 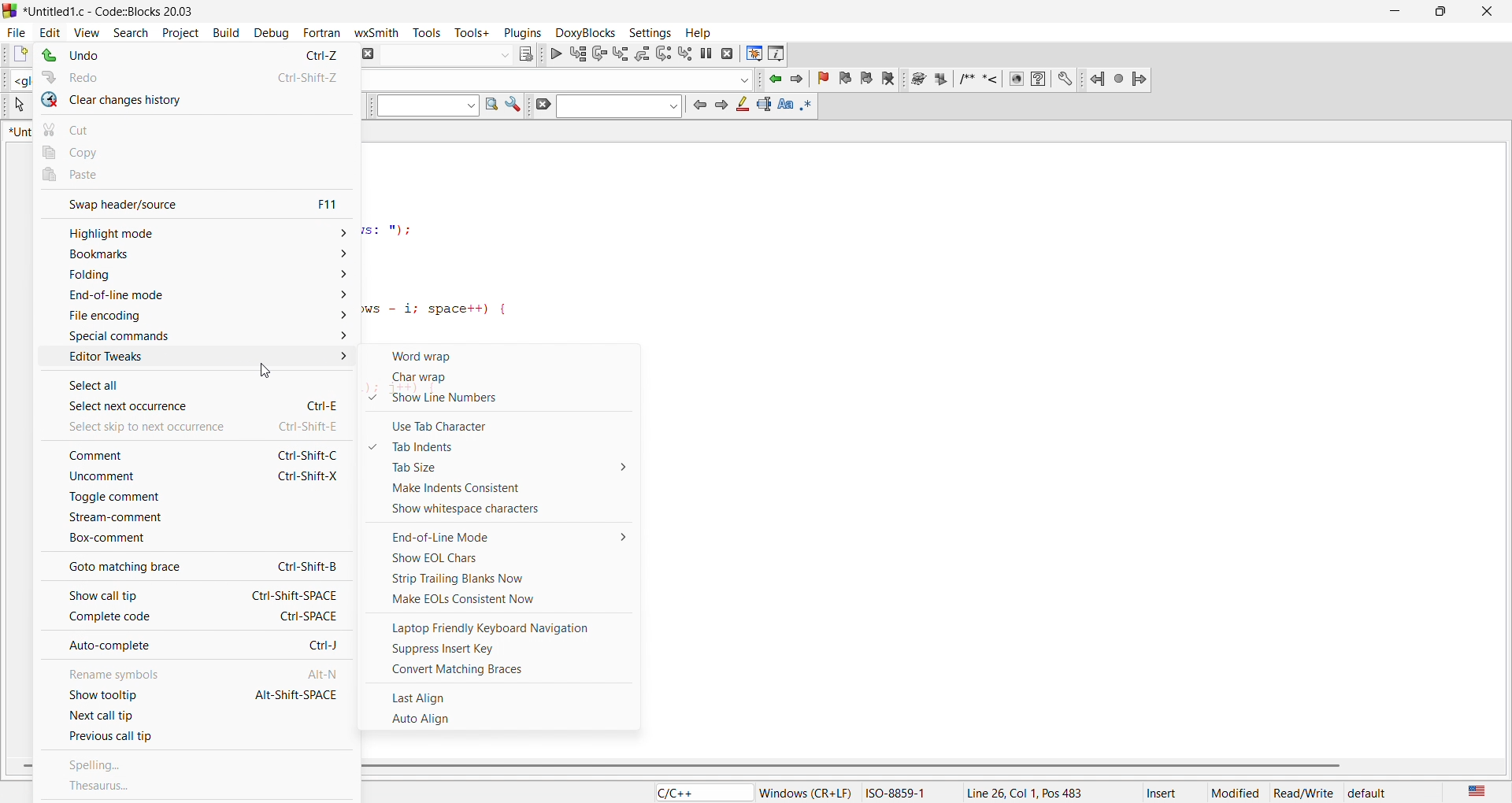 What do you see at coordinates (295, 594) in the screenshot?
I see `Ctrl-Shift-SPACE` at bounding box center [295, 594].